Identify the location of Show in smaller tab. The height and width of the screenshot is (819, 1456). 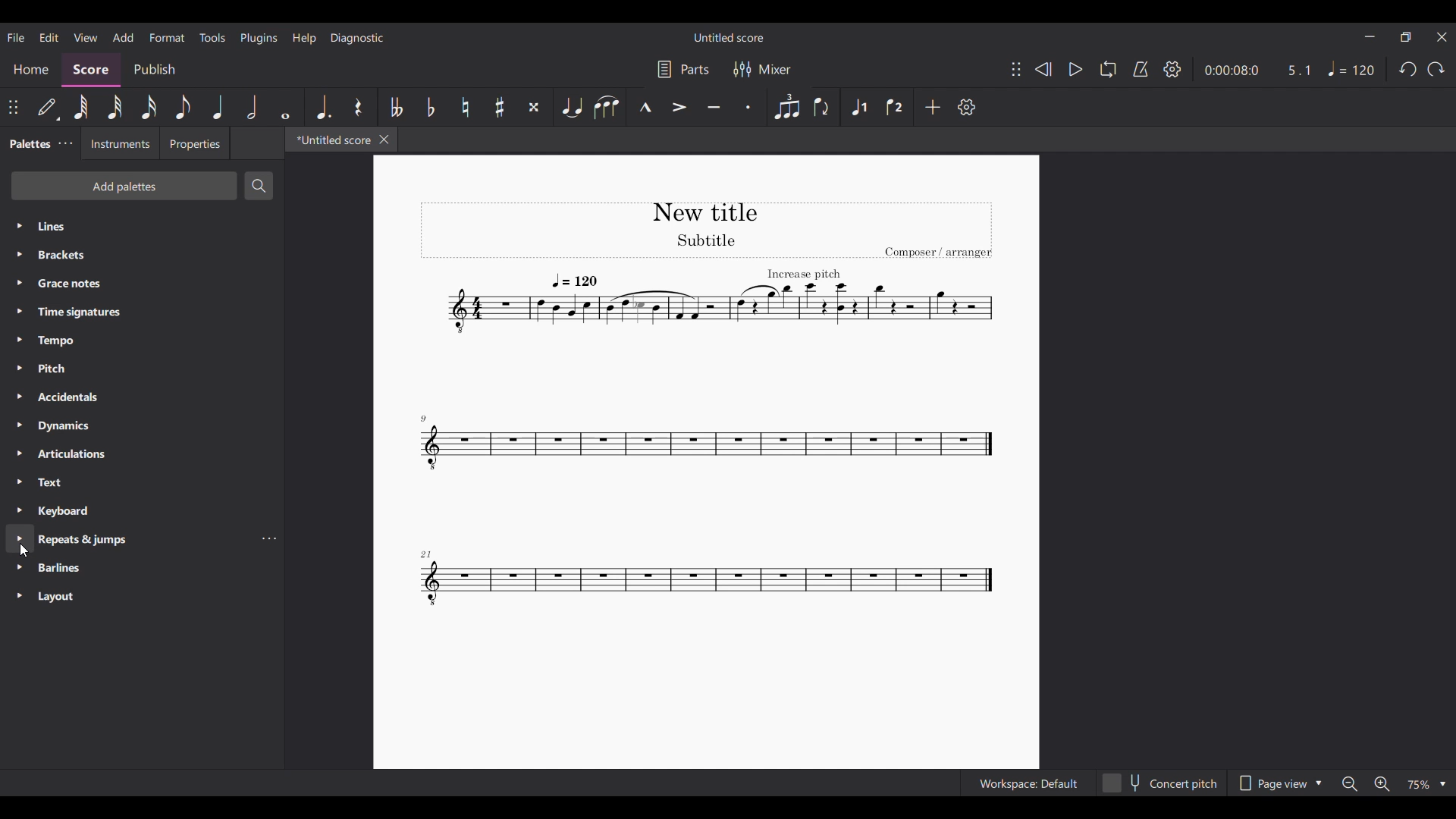
(1405, 37).